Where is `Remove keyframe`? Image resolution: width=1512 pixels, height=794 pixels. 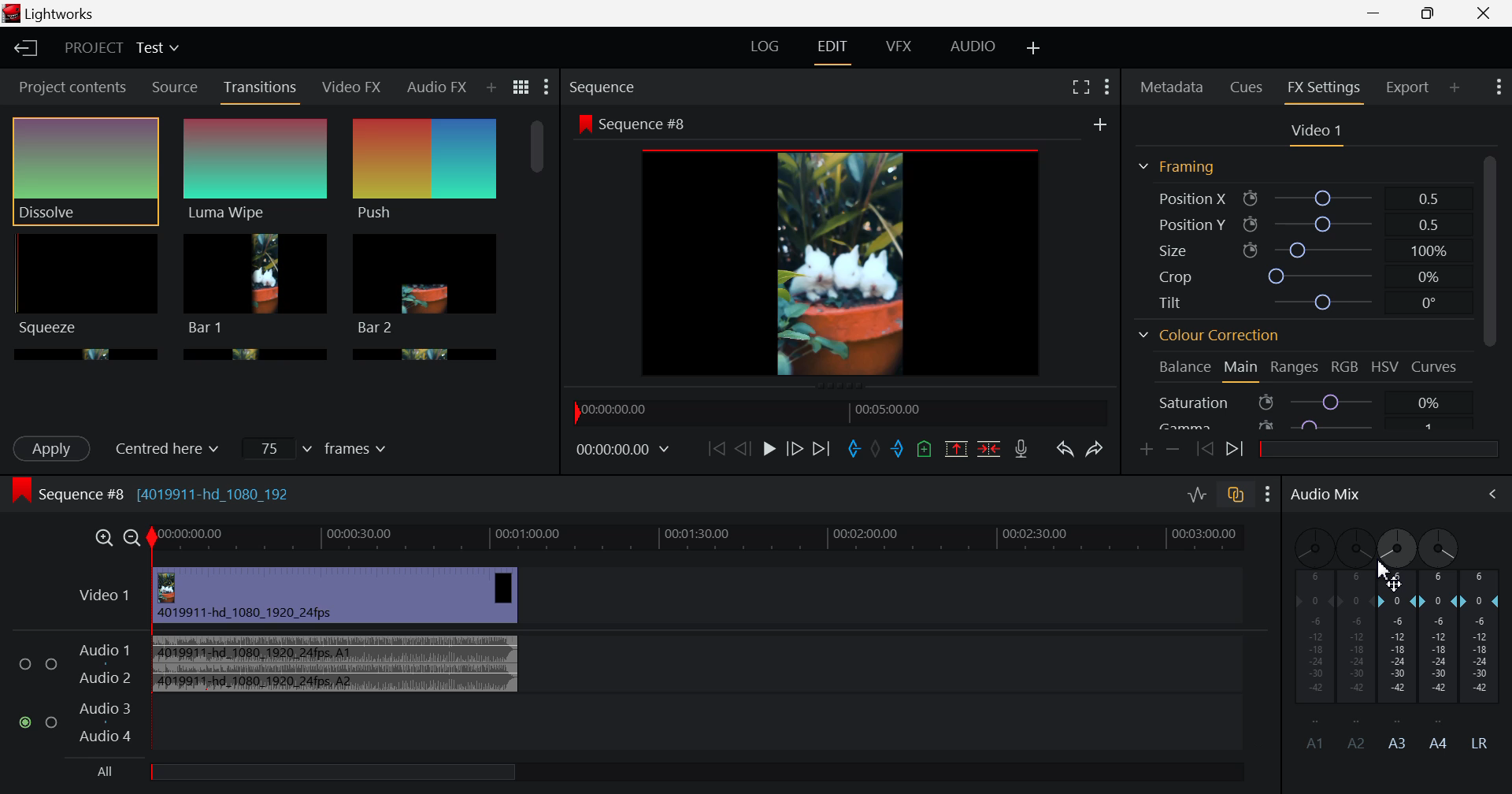
Remove keyframe is located at coordinates (1172, 449).